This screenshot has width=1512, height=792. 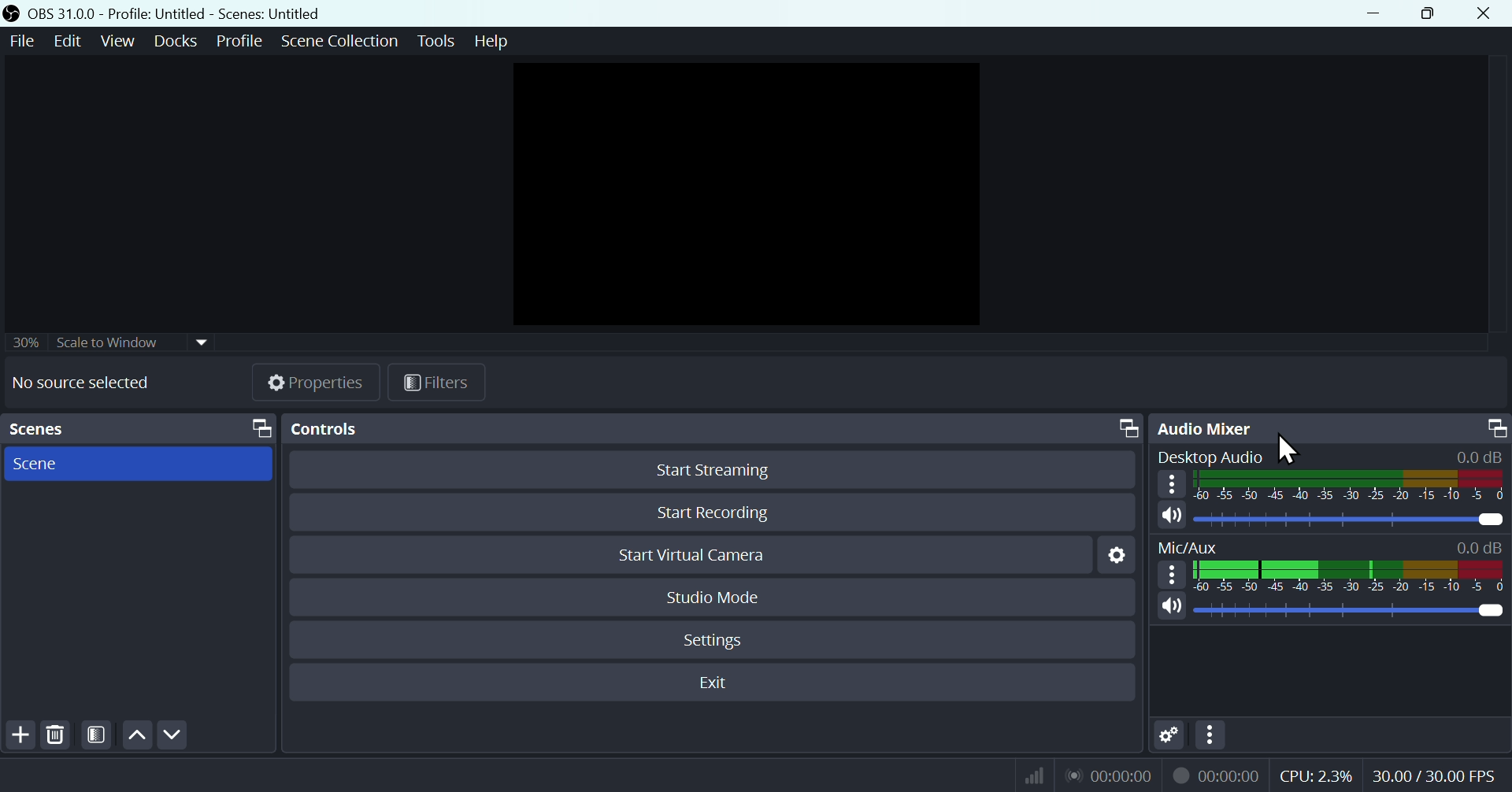 What do you see at coordinates (140, 464) in the screenshot?
I see `scene` at bounding box center [140, 464].